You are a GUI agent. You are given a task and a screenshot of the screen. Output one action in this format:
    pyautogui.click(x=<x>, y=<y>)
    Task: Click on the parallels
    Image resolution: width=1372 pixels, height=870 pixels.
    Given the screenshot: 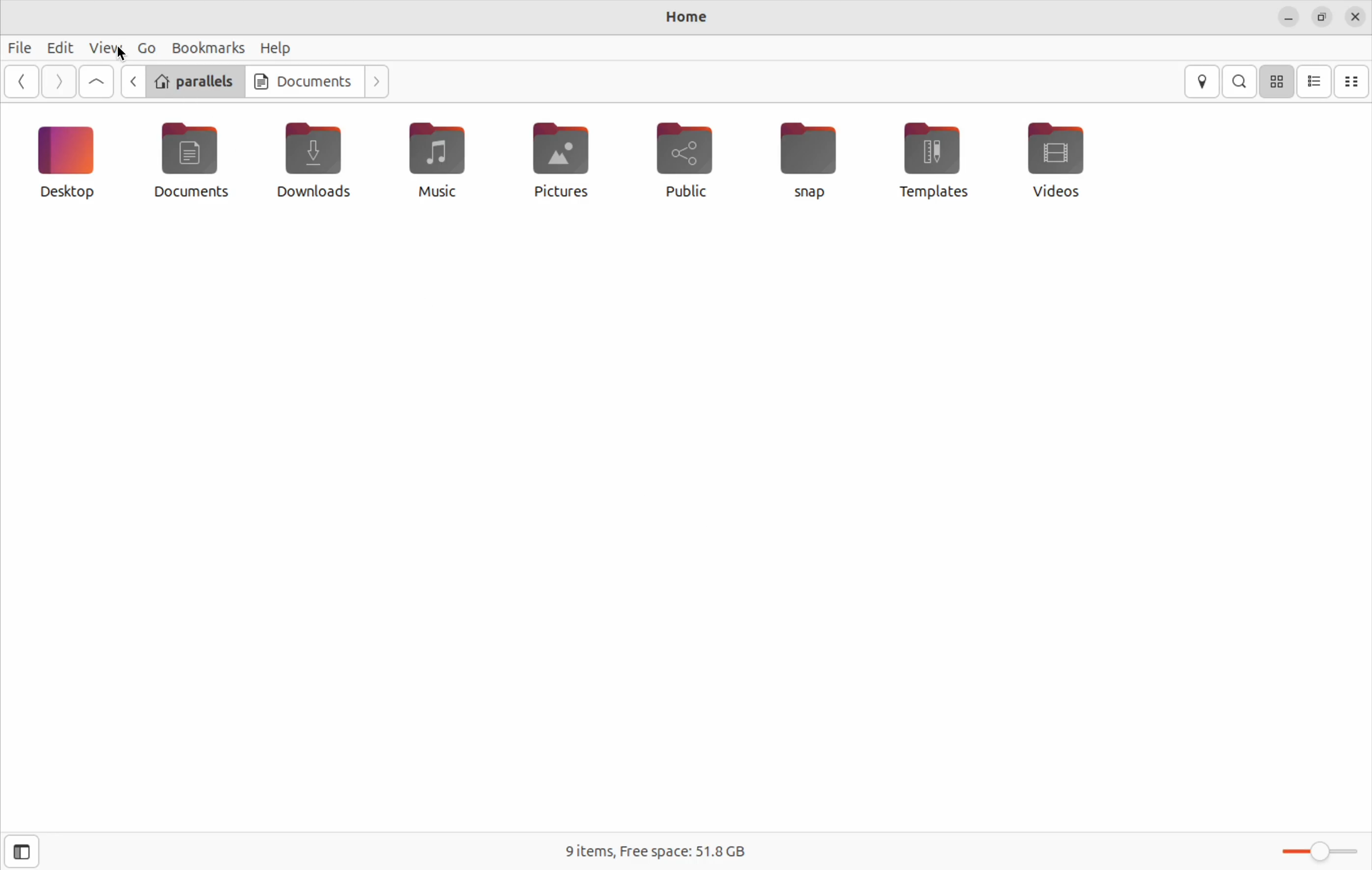 What is the action you would take?
    pyautogui.click(x=195, y=79)
    